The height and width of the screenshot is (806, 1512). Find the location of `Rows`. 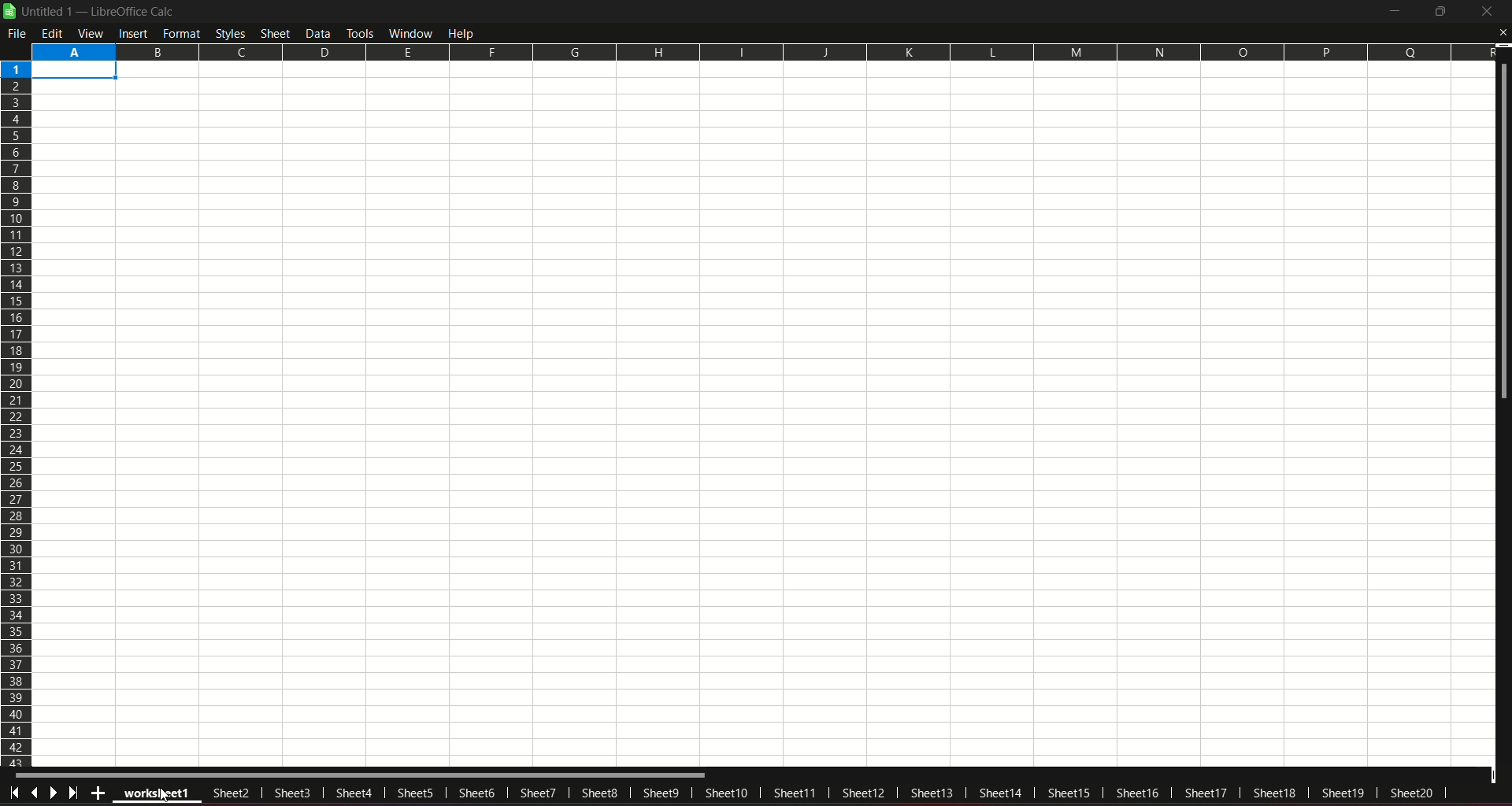

Rows is located at coordinates (17, 412).